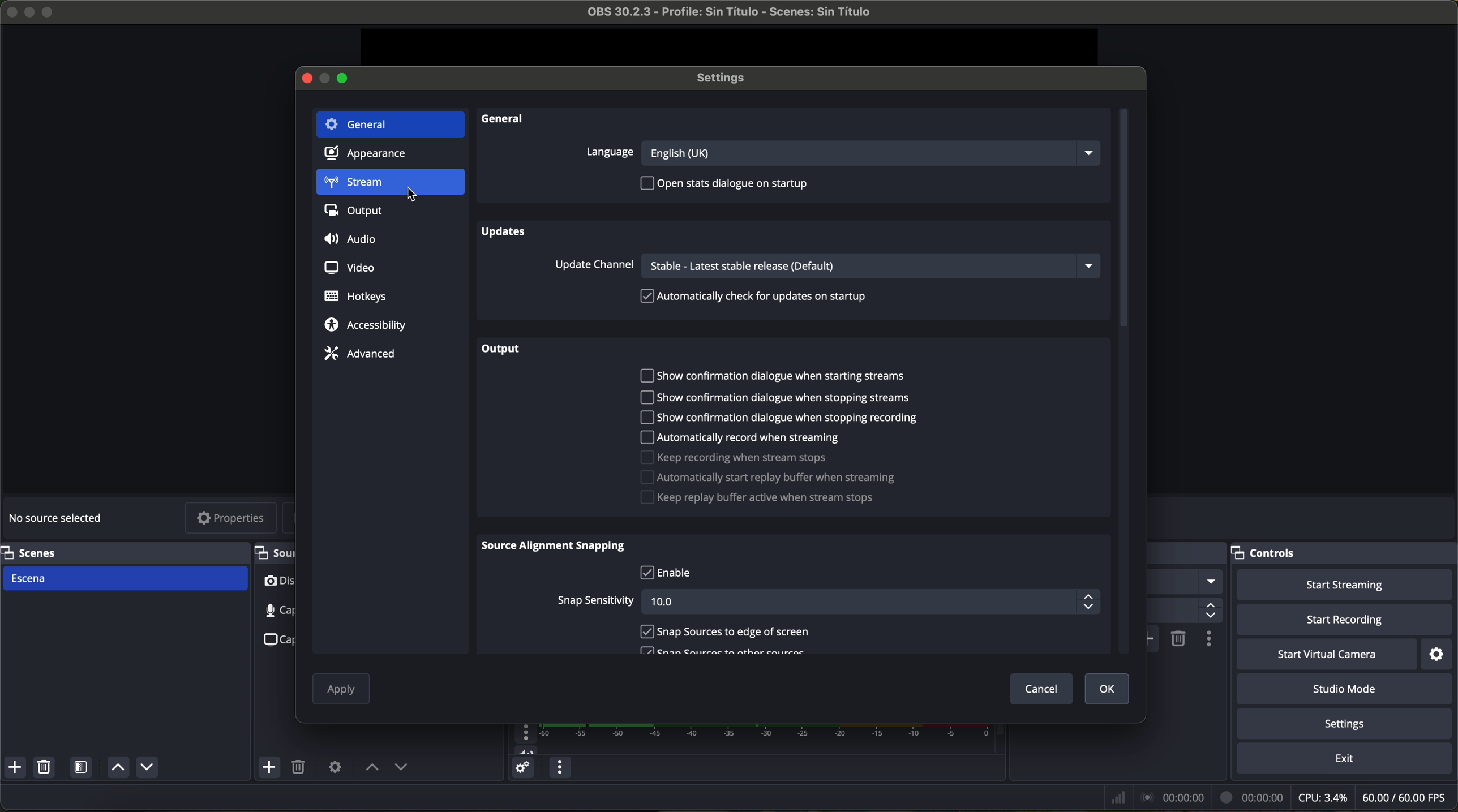 The width and height of the screenshot is (1458, 812). Describe the element at coordinates (748, 739) in the screenshot. I see `Mic/Aux` at that location.